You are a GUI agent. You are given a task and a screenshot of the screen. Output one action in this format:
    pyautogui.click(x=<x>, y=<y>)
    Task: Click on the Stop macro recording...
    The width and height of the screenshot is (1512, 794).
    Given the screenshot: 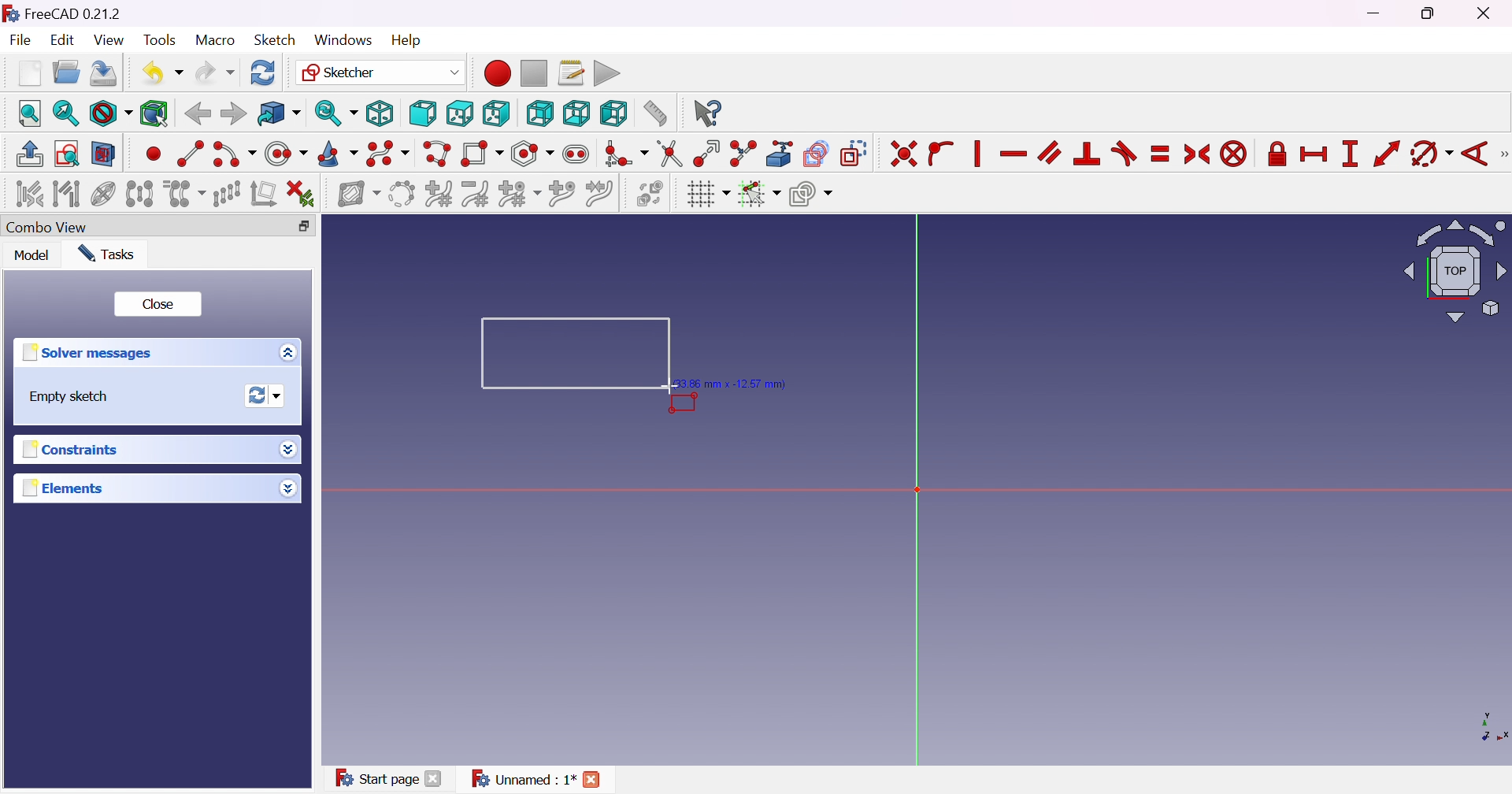 What is the action you would take?
    pyautogui.click(x=535, y=72)
    